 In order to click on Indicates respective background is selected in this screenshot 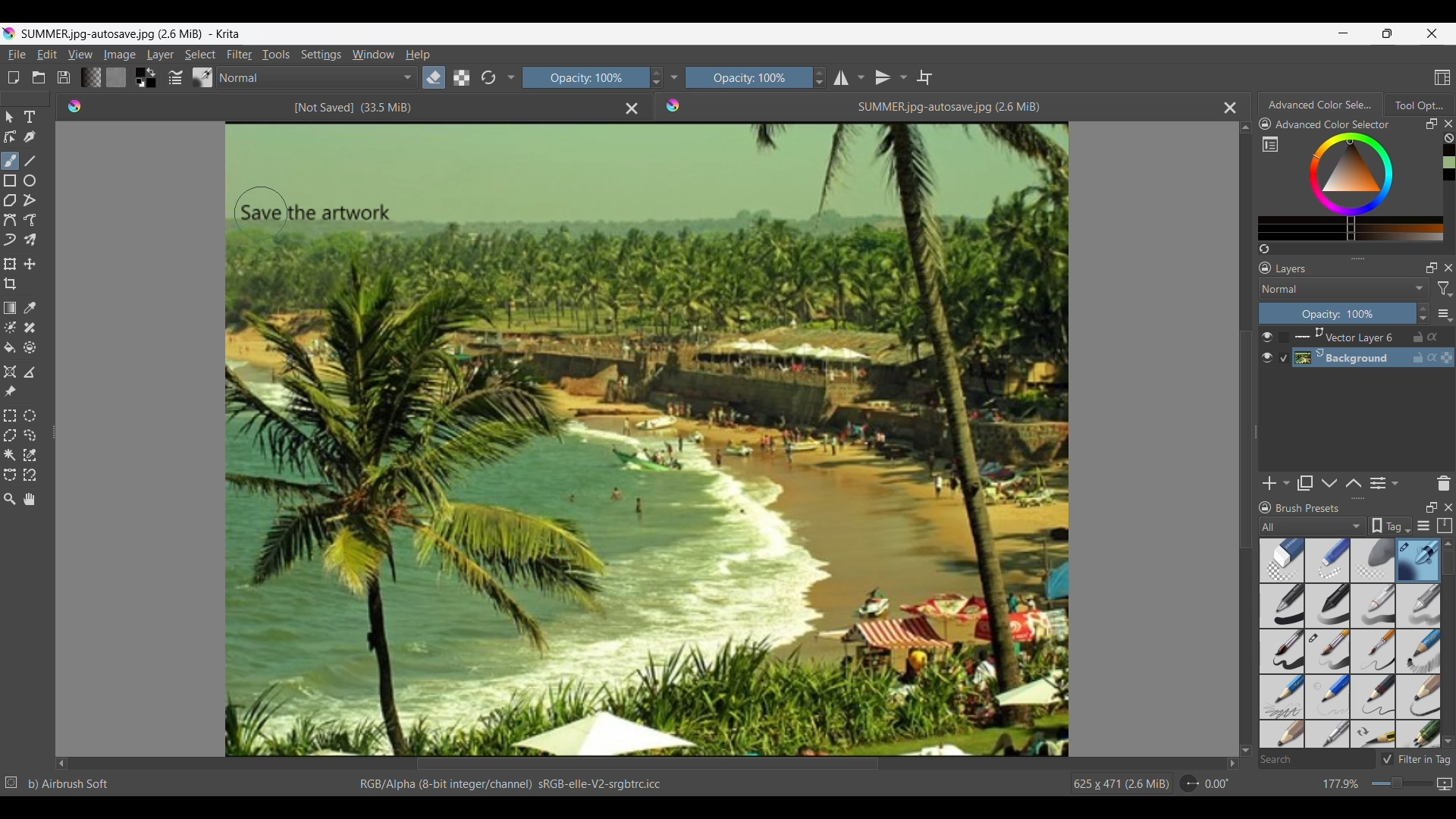, I will do `click(1285, 348)`.